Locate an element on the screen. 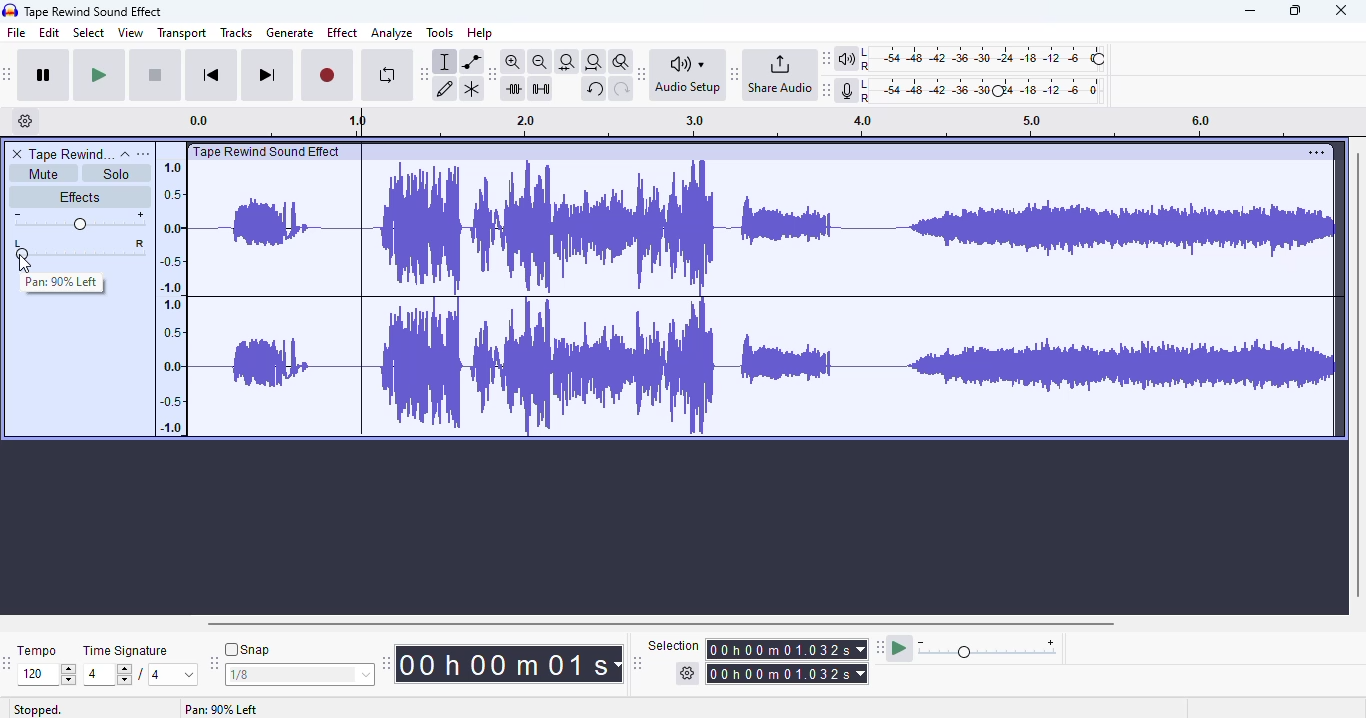  pan left is located at coordinates (20, 249).